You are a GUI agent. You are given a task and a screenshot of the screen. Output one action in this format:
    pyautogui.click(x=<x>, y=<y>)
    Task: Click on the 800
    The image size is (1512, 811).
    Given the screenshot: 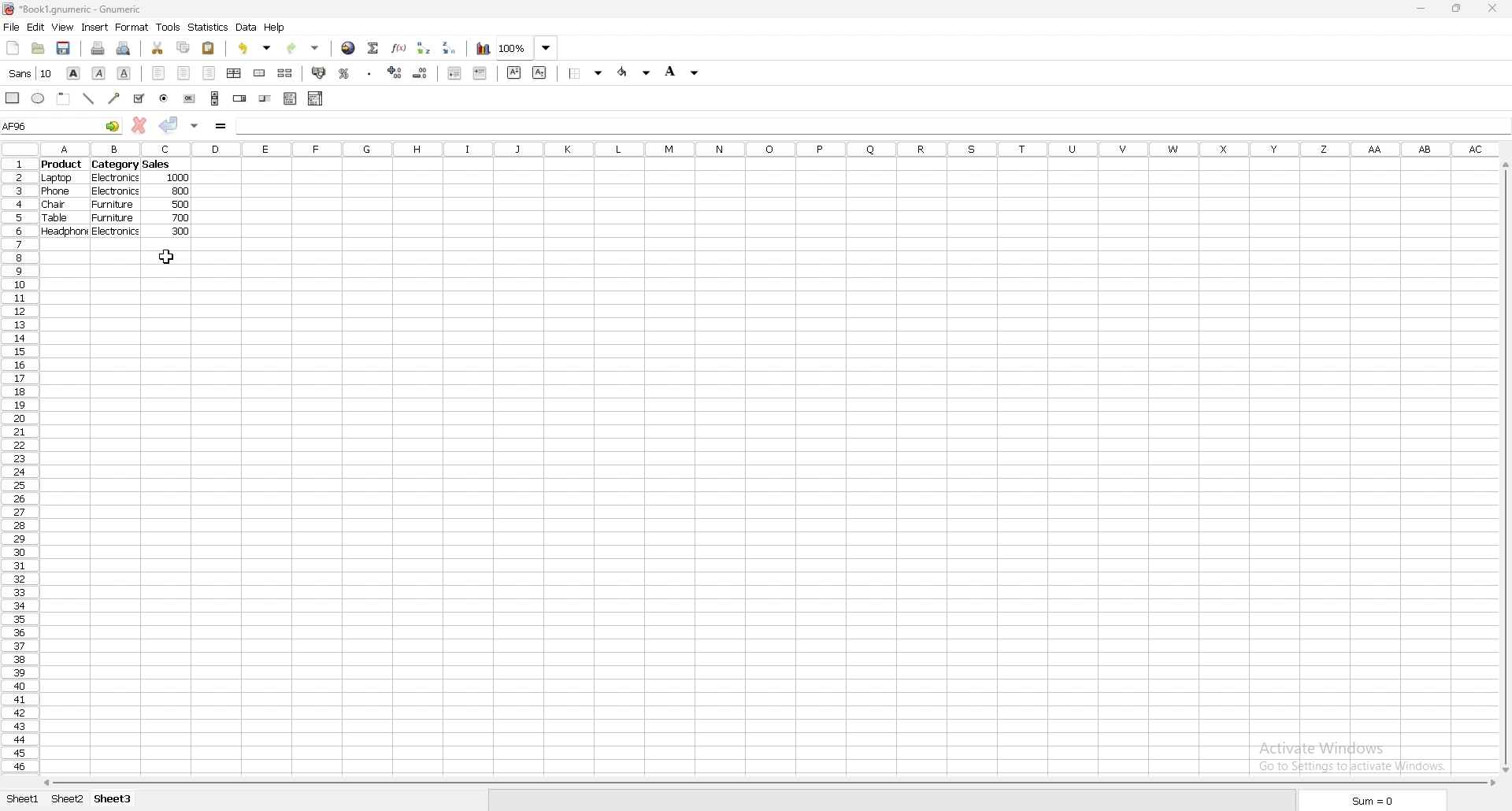 What is the action you would take?
    pyautogui.click(x=182, y=192)
    